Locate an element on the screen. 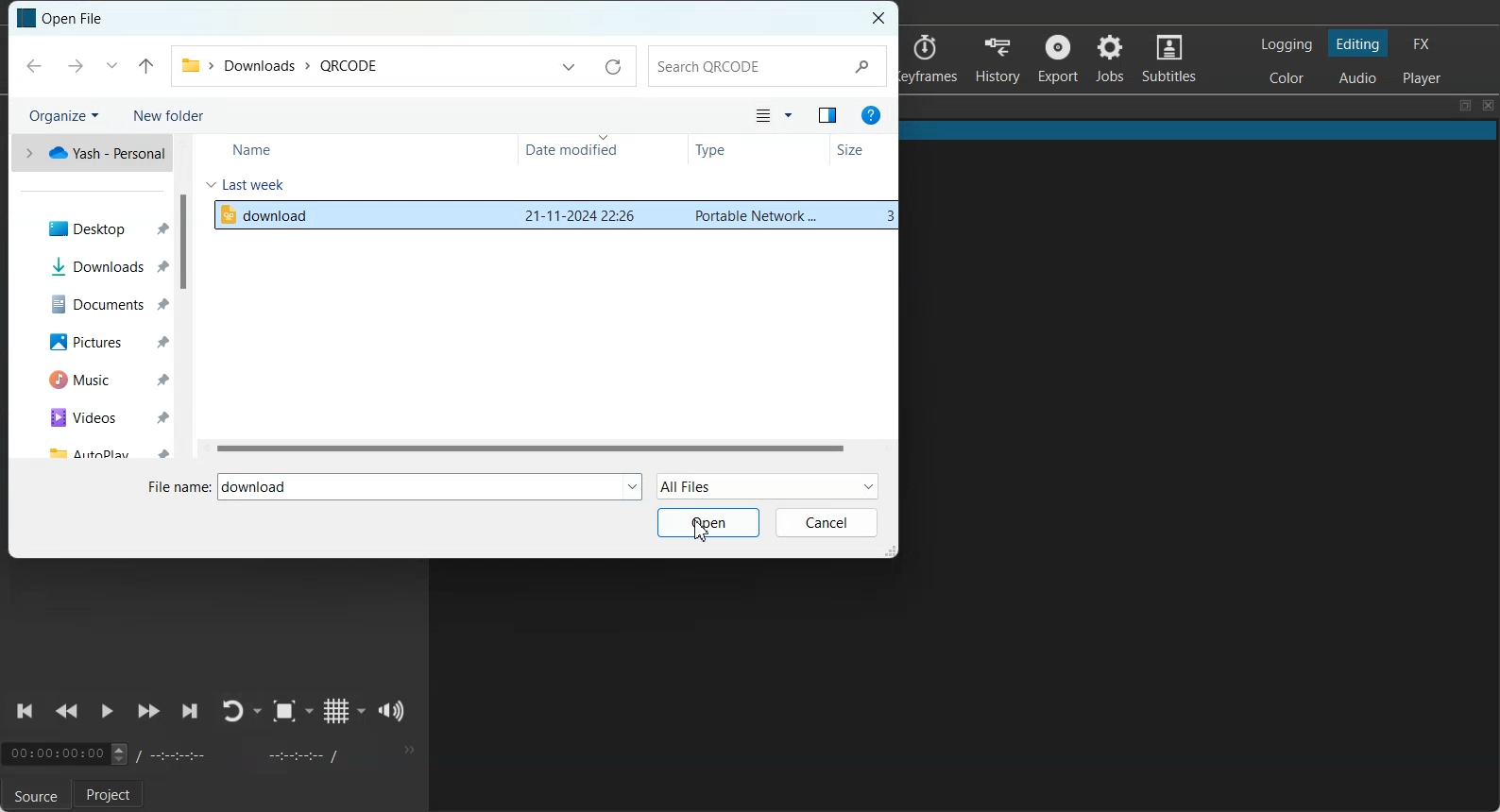  Music is located at coordinates (99, 379).